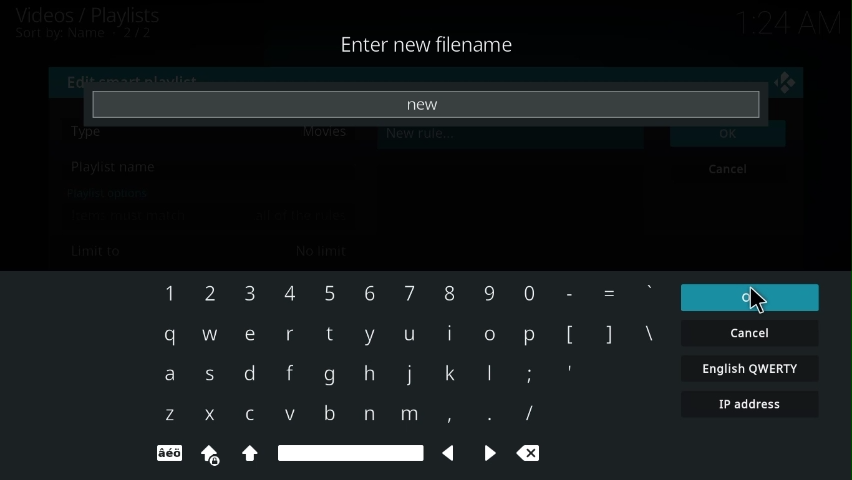 Image resolution: width=852 pixels, height=480 pixels. I want to click on cancel, so click(726, 170).